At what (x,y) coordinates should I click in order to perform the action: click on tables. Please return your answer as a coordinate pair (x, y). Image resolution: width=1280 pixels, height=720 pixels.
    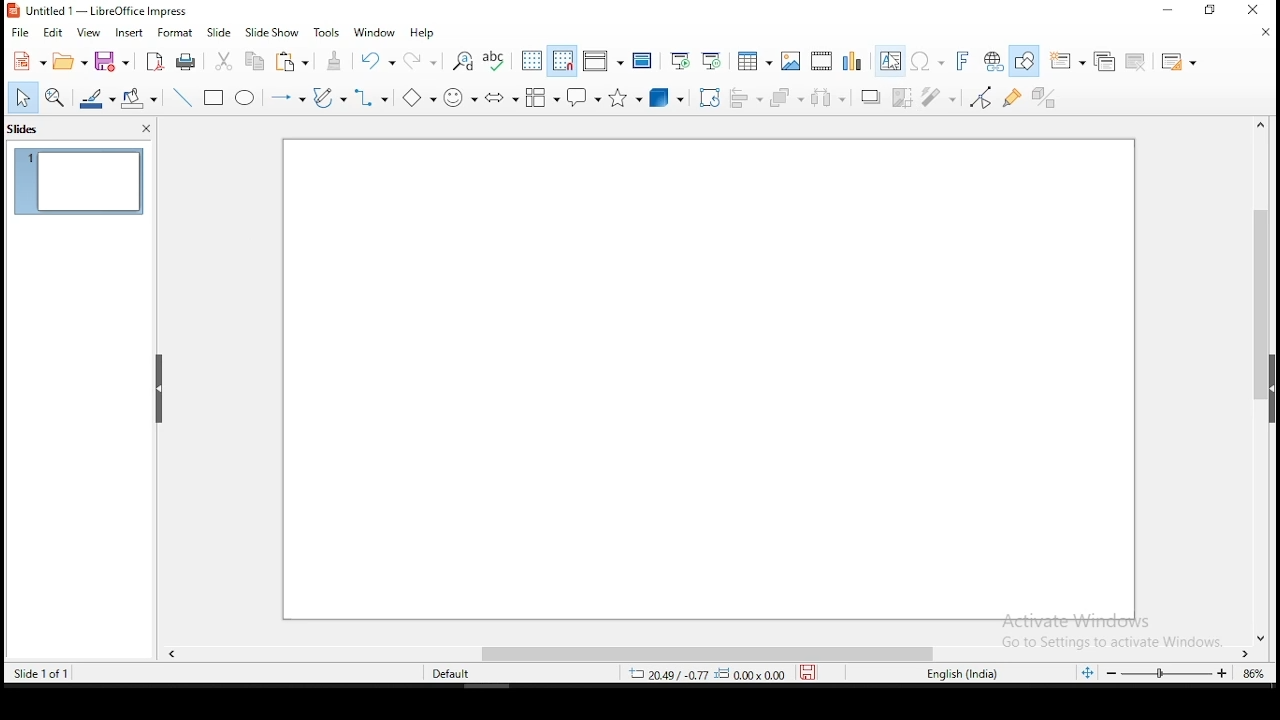
    Looking at the image, I should click on (756, 61).